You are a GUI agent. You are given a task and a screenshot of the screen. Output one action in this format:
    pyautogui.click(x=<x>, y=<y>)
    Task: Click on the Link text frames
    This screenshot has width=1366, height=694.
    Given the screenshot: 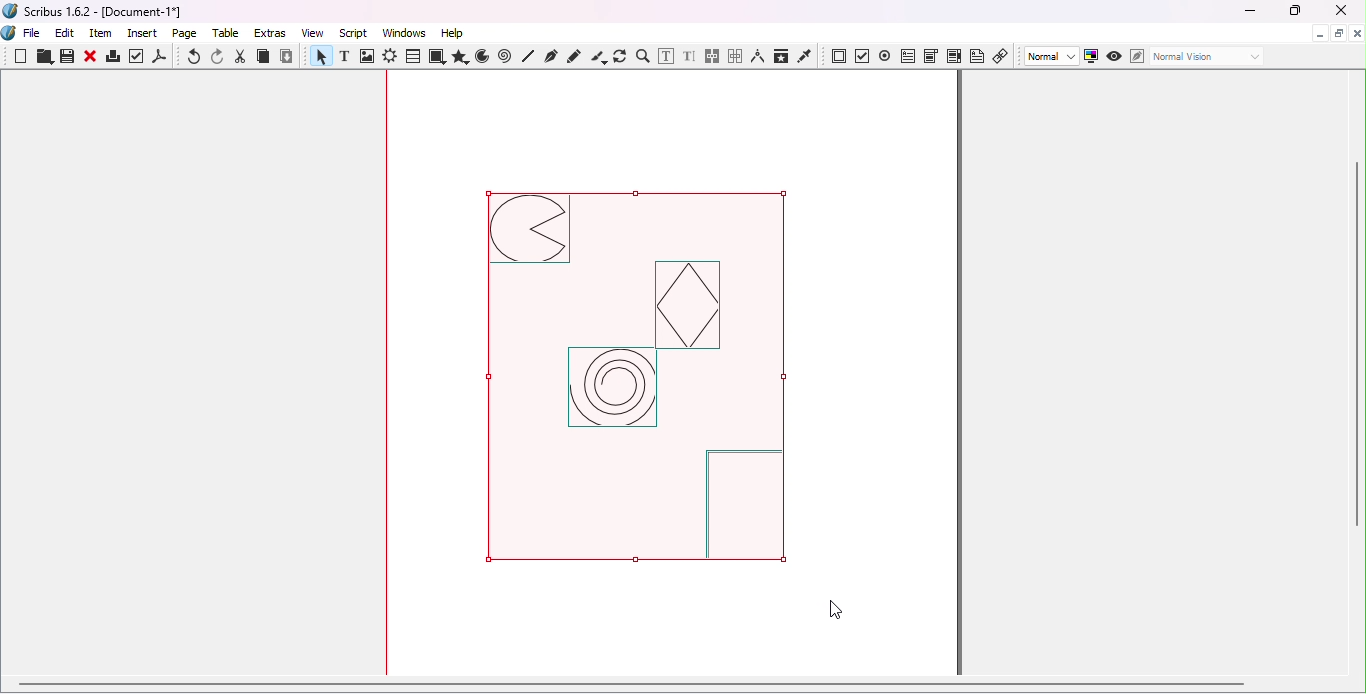 What is the action you would take?
    pyautogui.click(x=713, y=57)
    